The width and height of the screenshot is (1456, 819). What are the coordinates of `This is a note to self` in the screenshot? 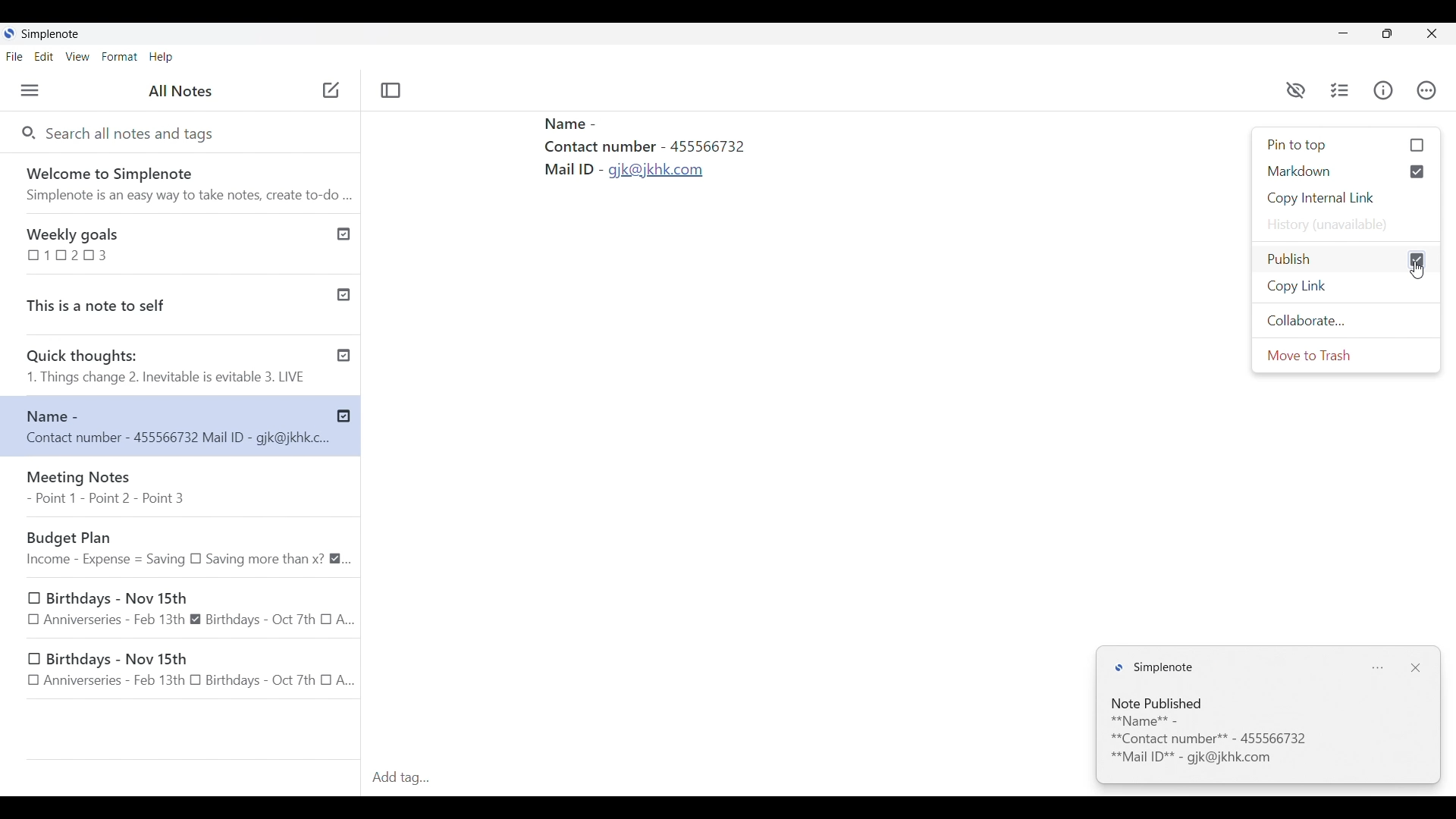 It's located at (162, 302).